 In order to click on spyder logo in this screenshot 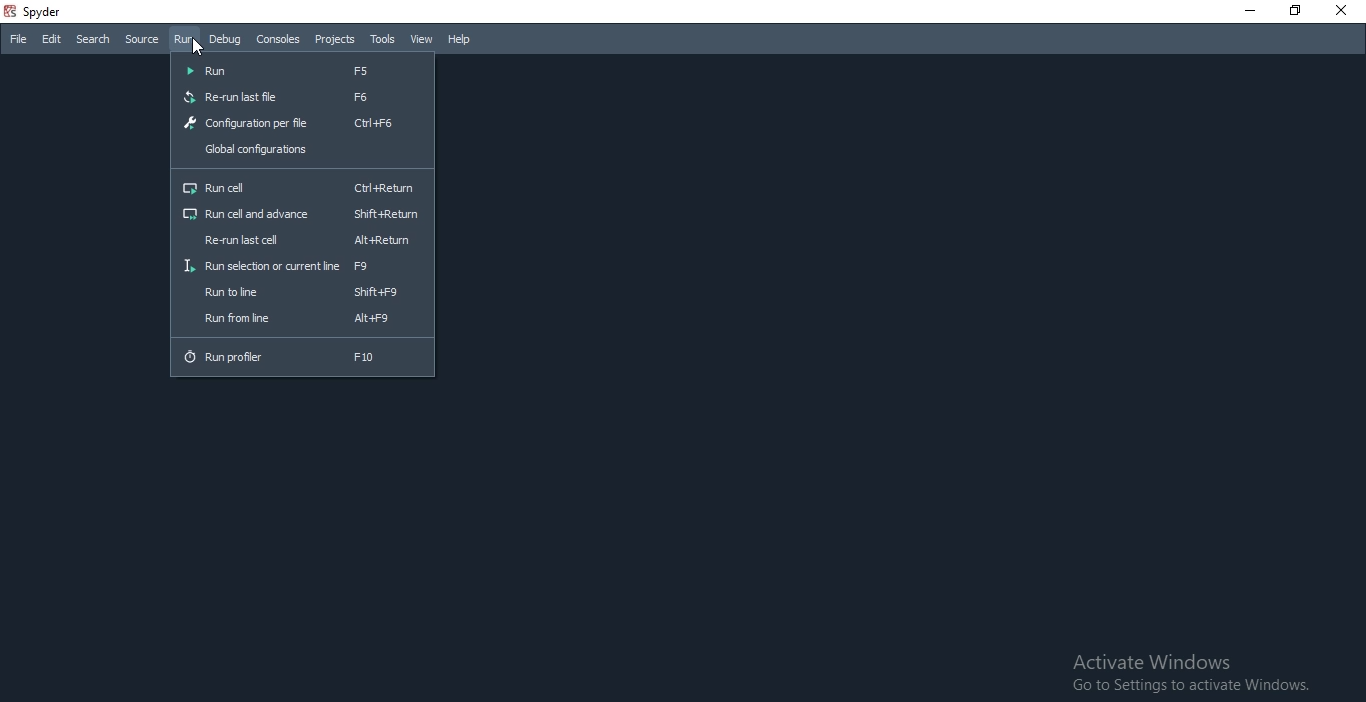, I will do `click(9, 13)`.